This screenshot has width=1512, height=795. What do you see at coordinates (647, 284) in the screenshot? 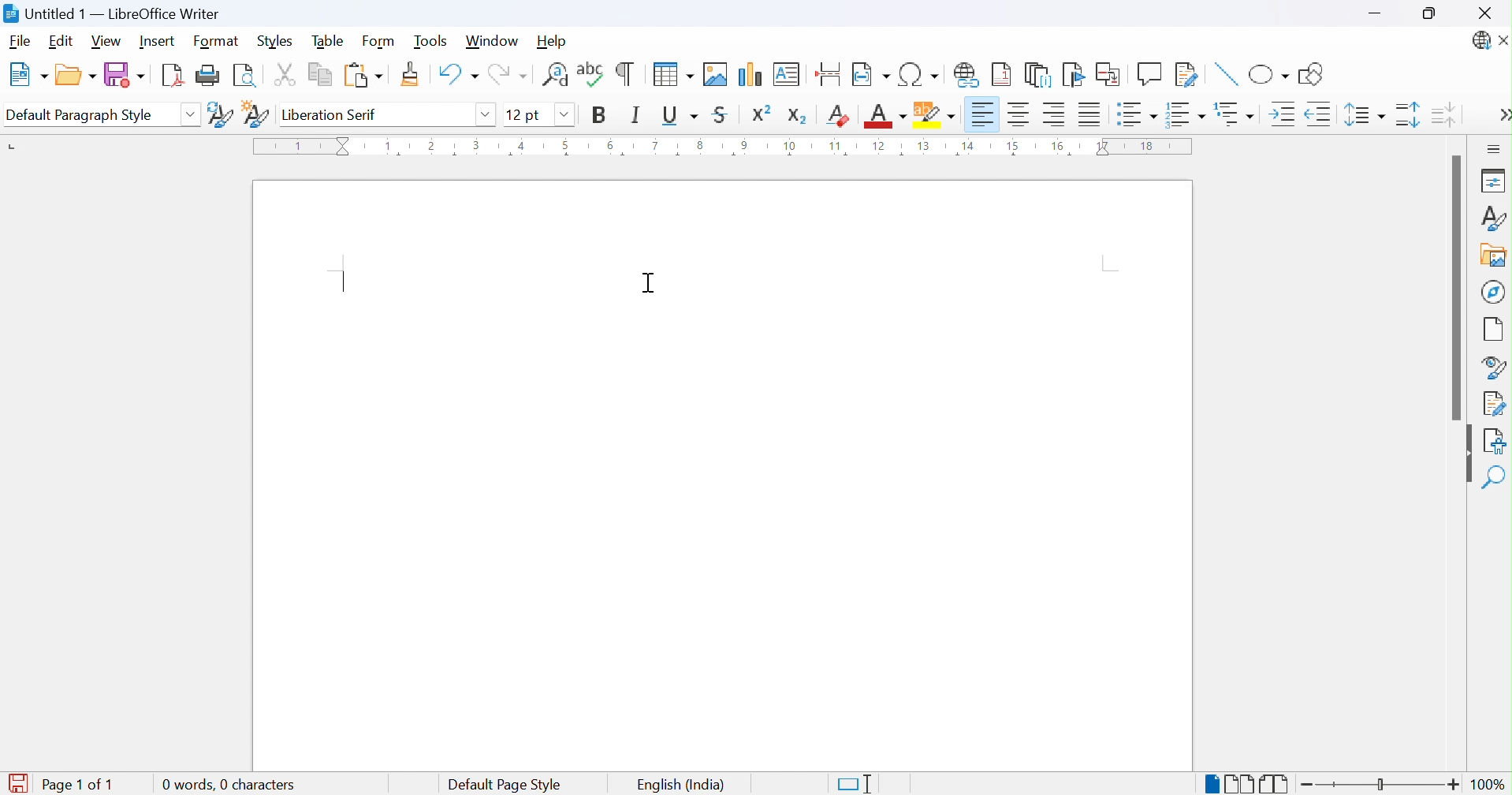
I see `Ibeam Cursor` at bounding box center [647, 284].